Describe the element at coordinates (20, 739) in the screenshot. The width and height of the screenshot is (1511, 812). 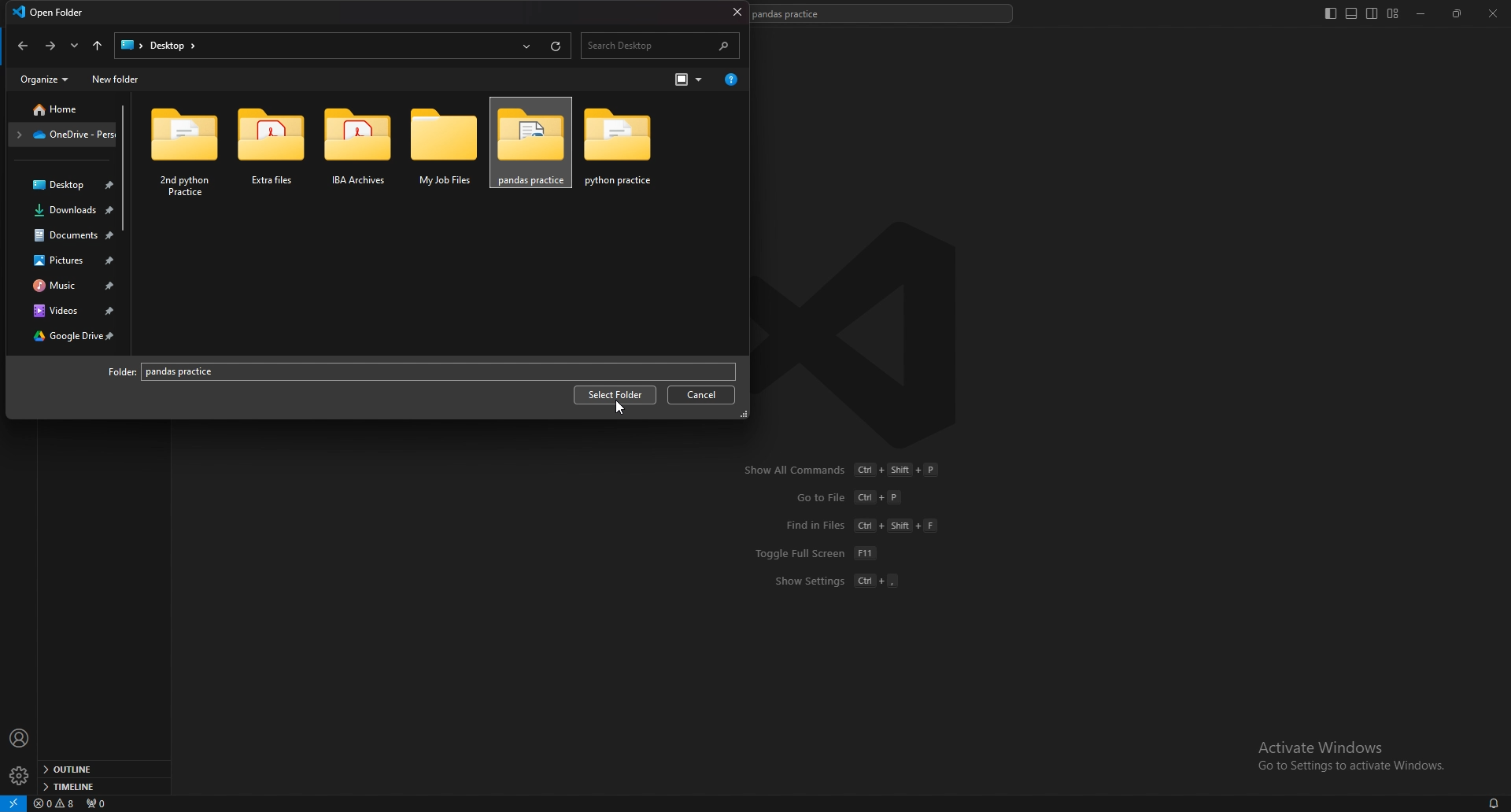
I see `profile` at that location.